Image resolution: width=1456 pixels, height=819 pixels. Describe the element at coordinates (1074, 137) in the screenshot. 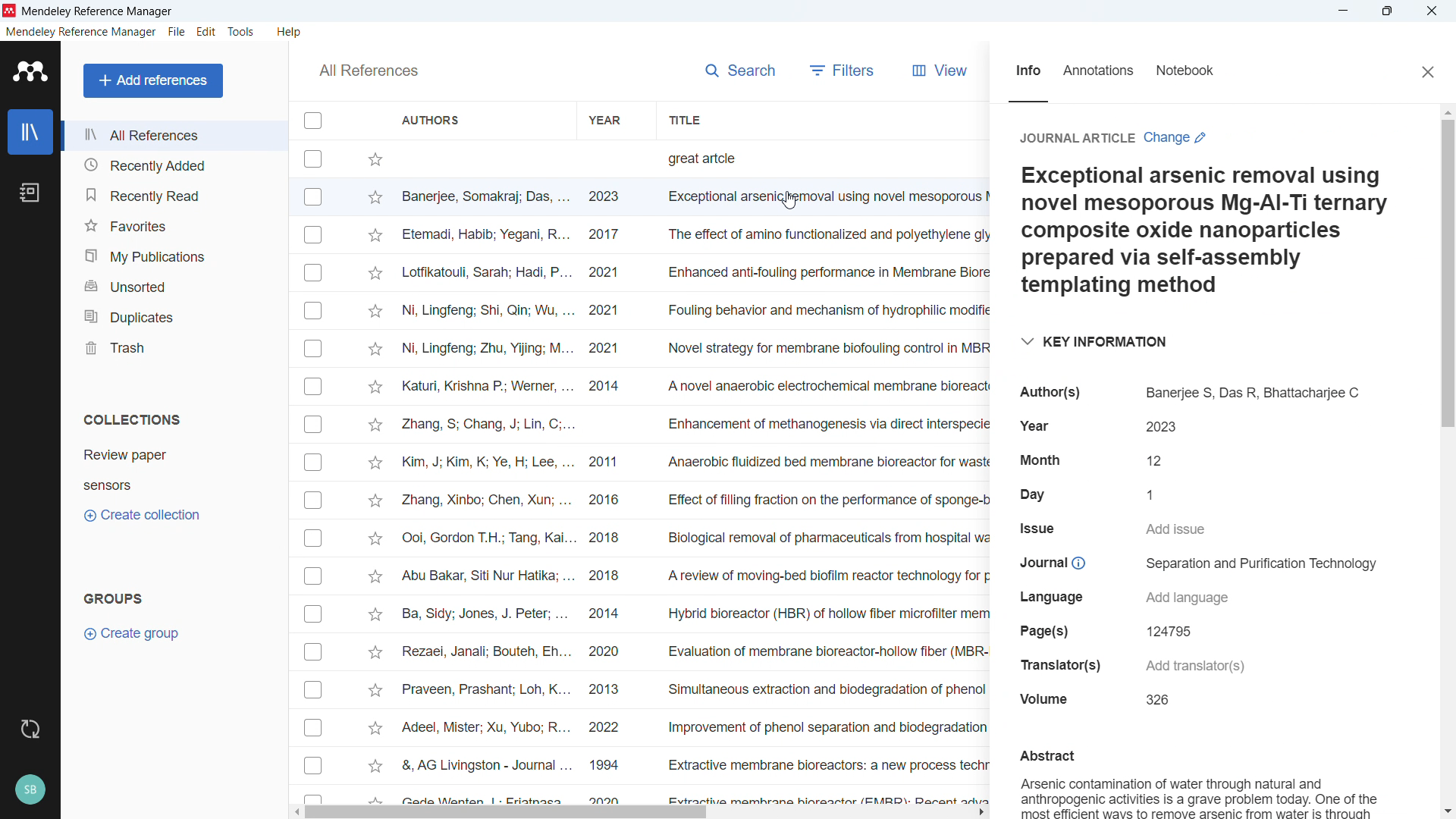

I see `Journal article ` at that location.